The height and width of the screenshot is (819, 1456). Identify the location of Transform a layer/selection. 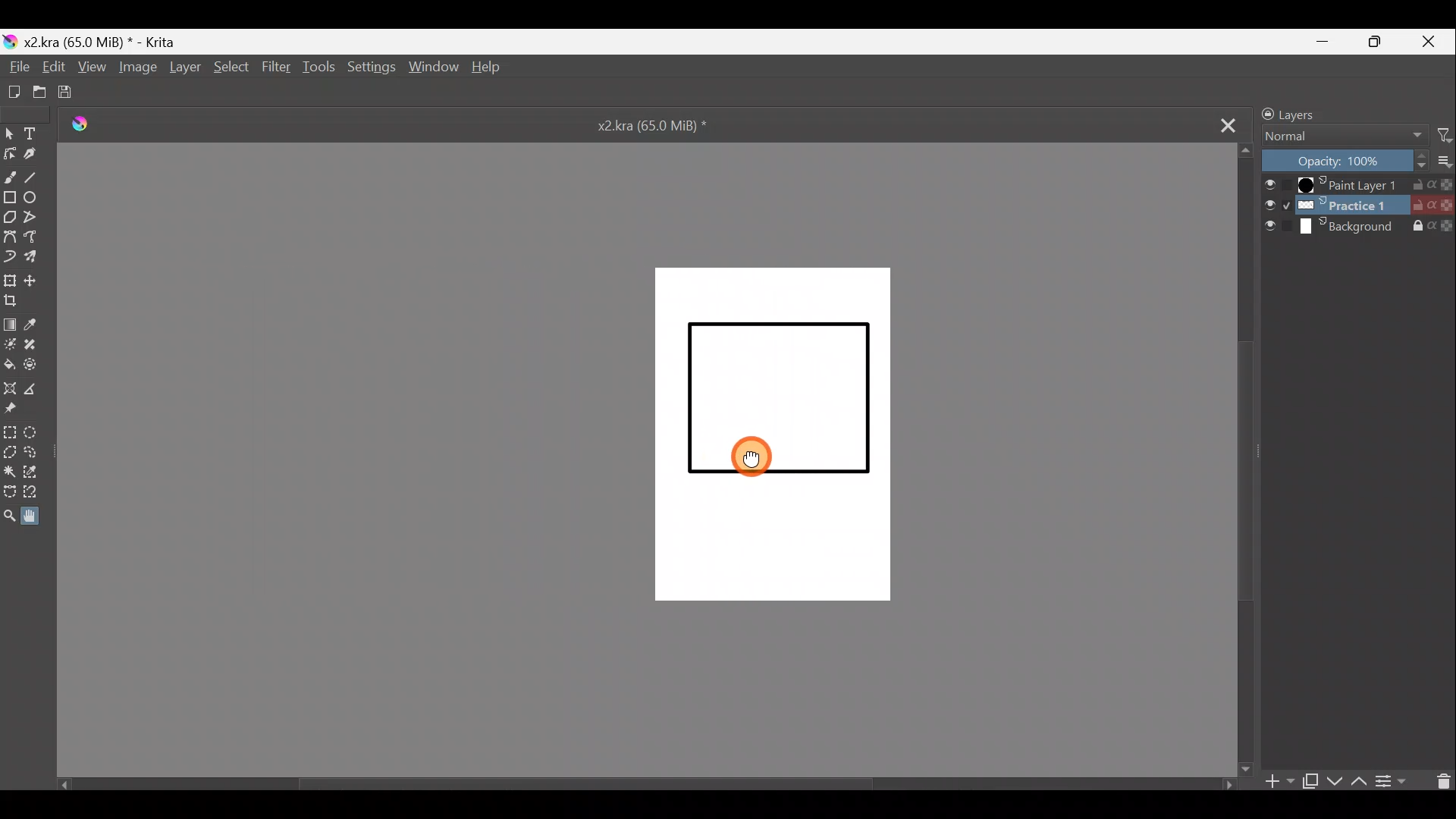
(9, 279).